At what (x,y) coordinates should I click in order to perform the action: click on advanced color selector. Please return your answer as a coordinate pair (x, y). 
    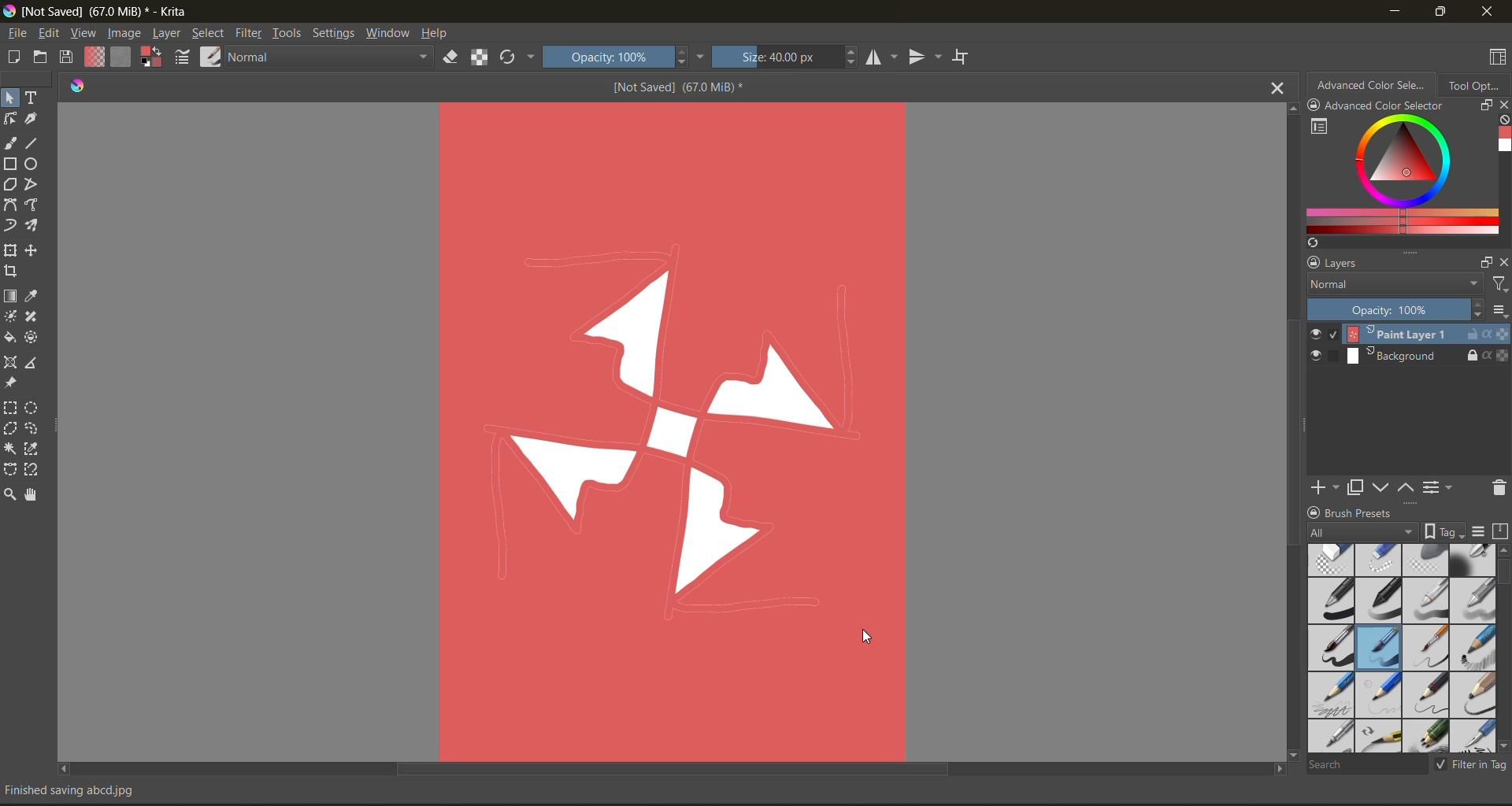
    Looking at the image, I should click on (1402, 176).